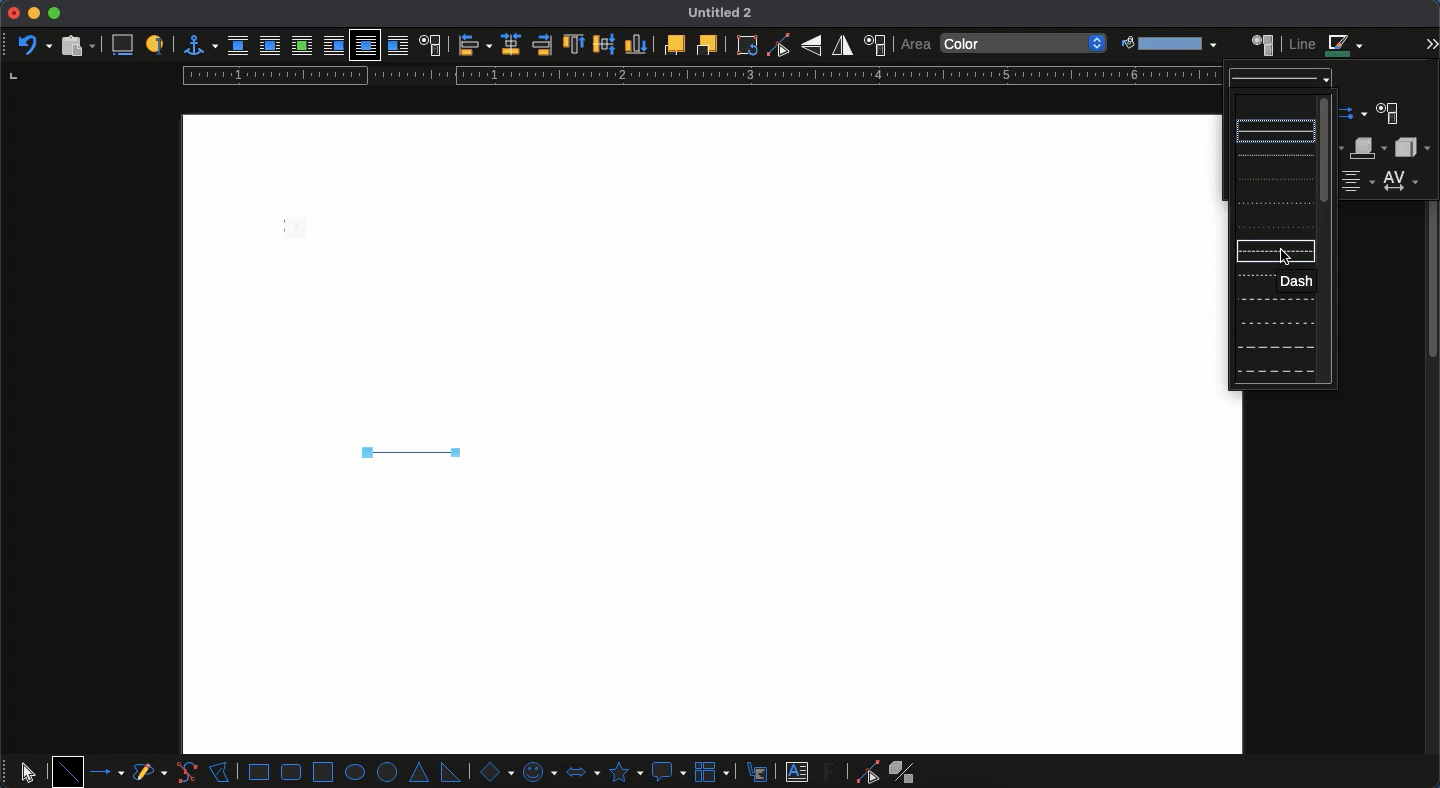 The image size is (1440, 788). What do you see at coordinates (1274, 226) in the screenshot?
I see `Long dot (rounded)` at bounding box center [1274, 226].